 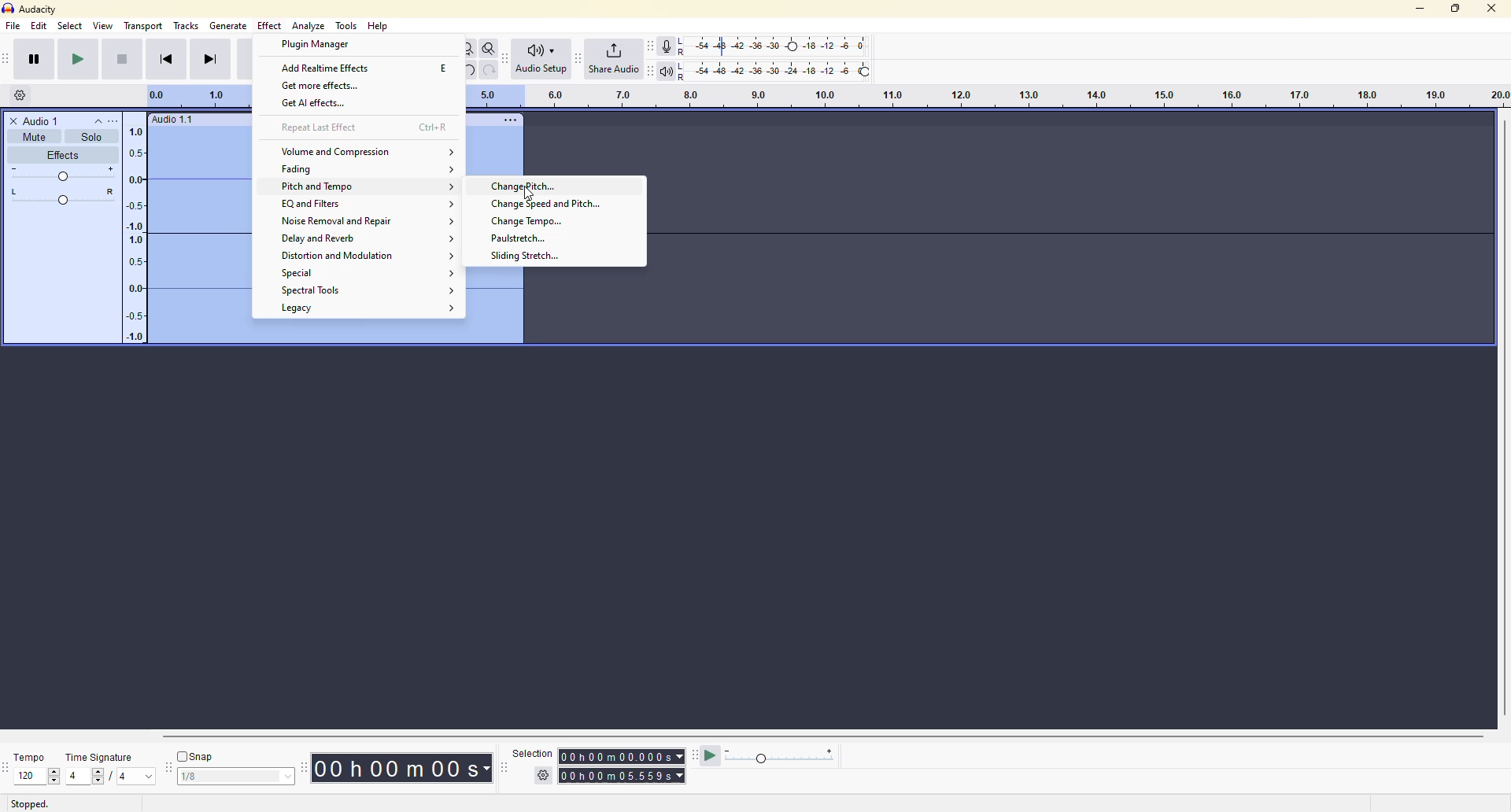 I want to click on cursor, so click(x=534, y=191).